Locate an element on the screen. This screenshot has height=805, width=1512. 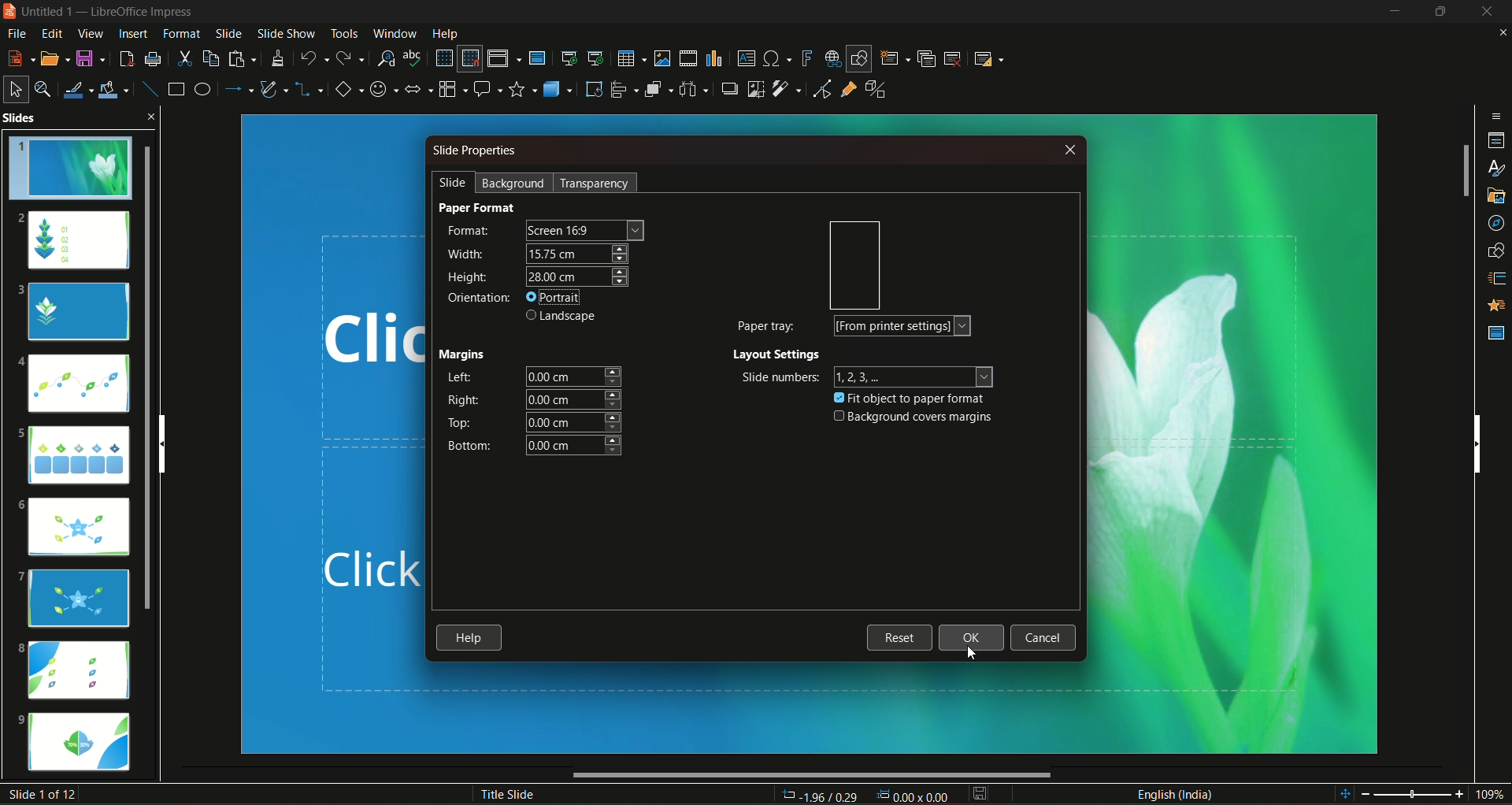
top is located at coordinates (461, 423).